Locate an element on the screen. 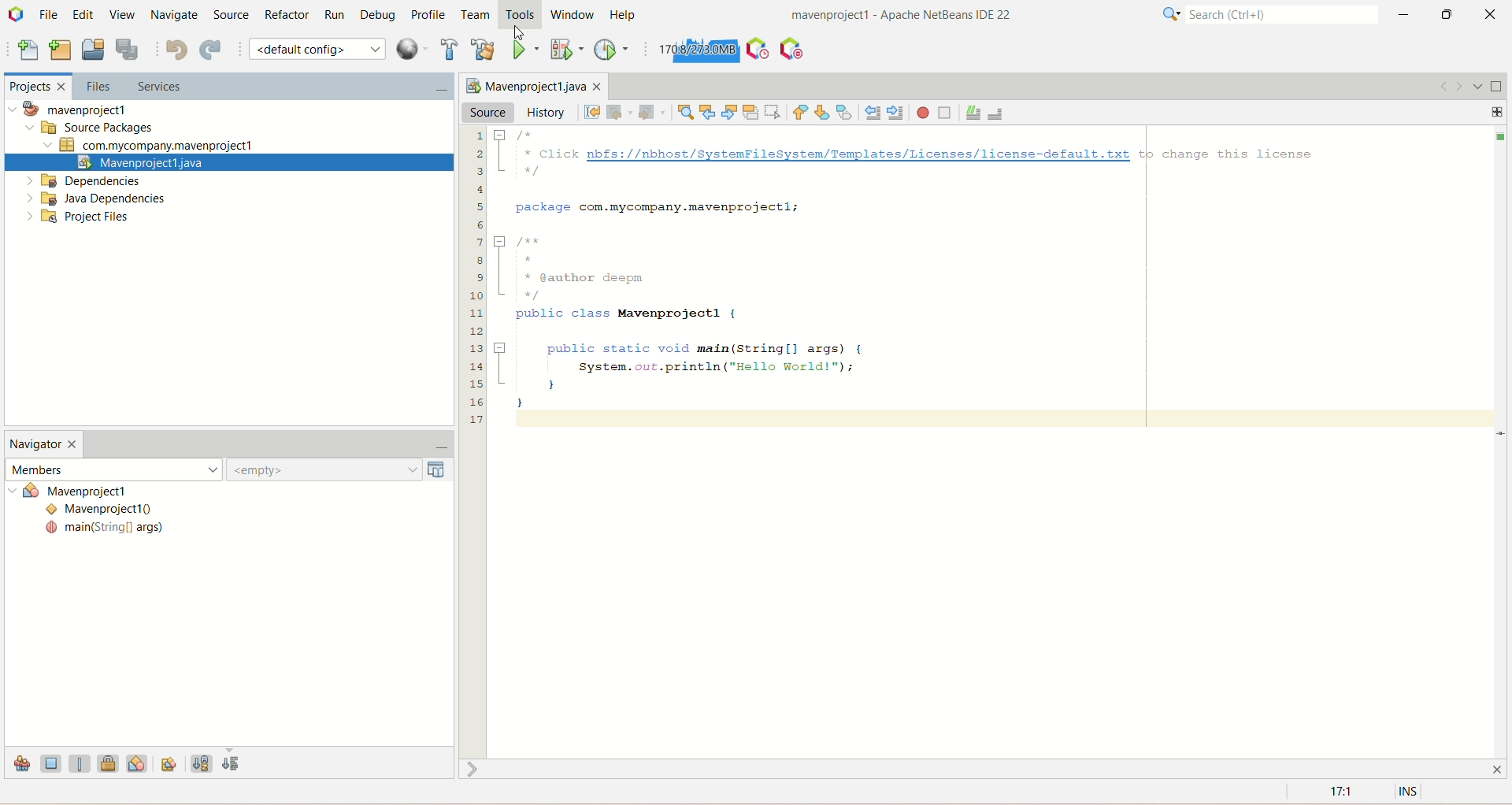 The height and width of the screenshot is (805, 1512). package com.mycompany.mavenprojectl; is located at coordinates (663, 206).